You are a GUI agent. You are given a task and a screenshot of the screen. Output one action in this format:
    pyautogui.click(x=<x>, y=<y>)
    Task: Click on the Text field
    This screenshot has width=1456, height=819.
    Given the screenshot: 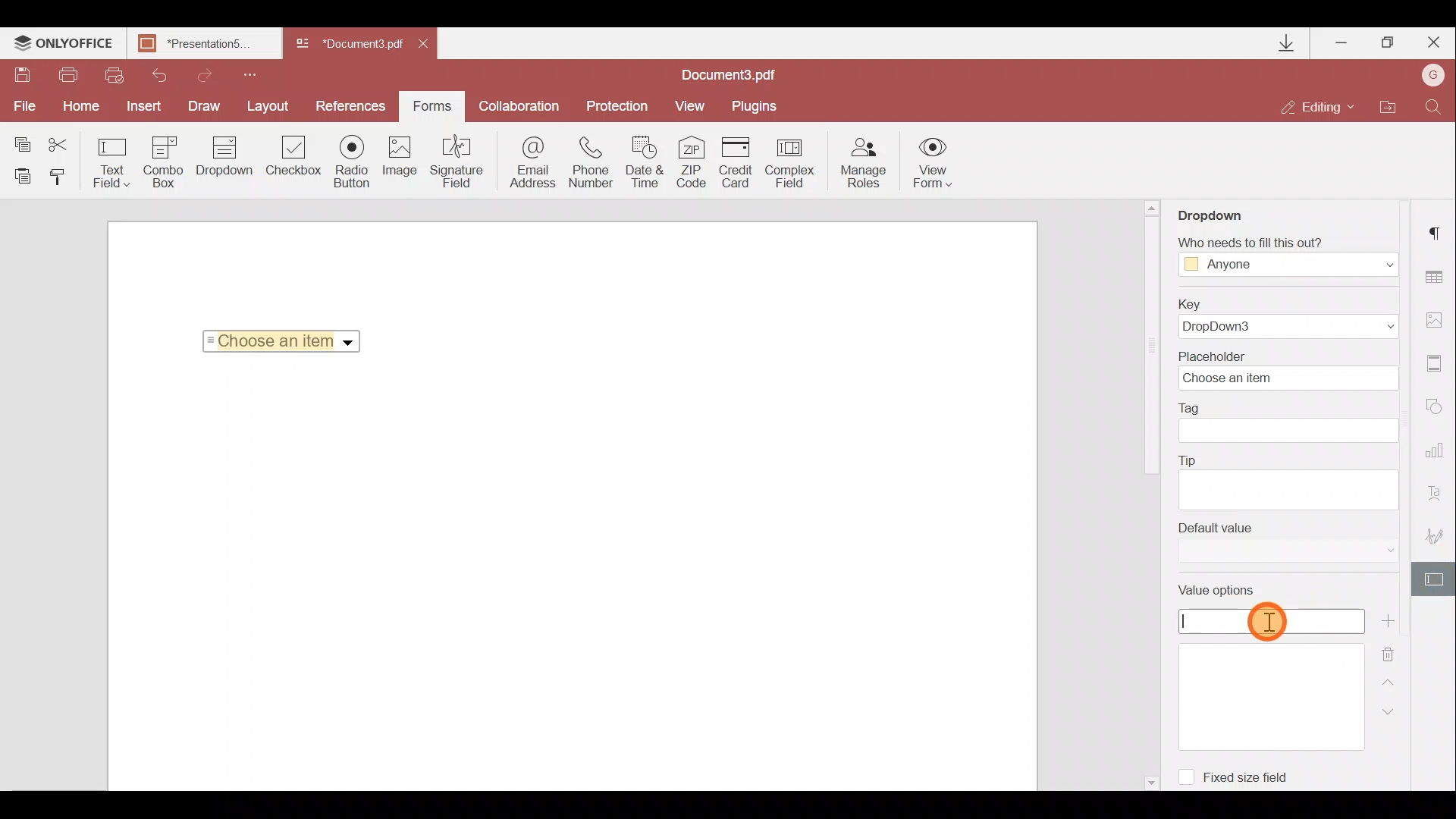 What is the action you would take?
    pyautogui.click(x=109, y=162)
    